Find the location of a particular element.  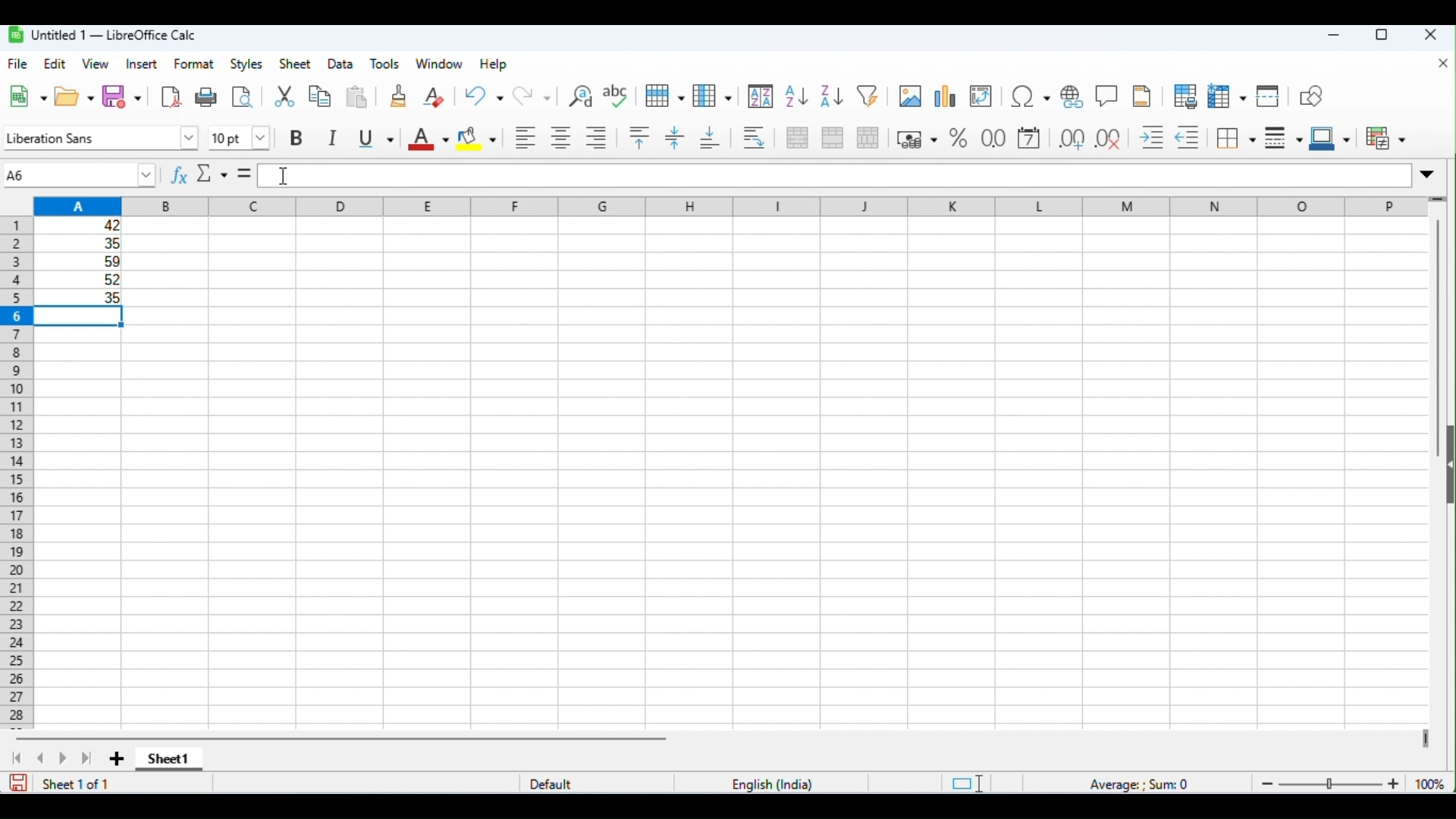

paste is located at coordinates (359, 98).